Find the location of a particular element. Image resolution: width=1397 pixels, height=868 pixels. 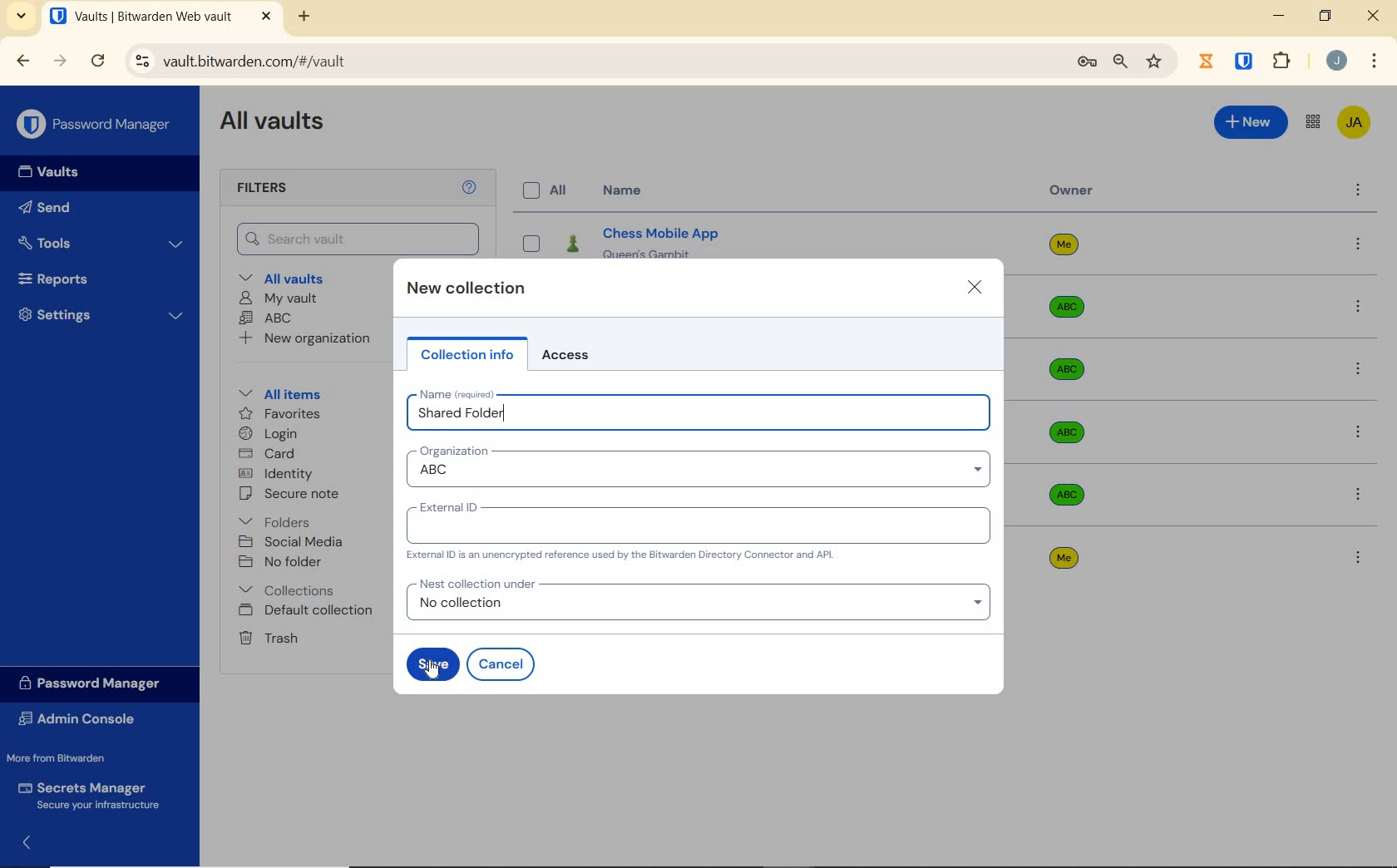

Search Vault is located at coordinates (359, 239).